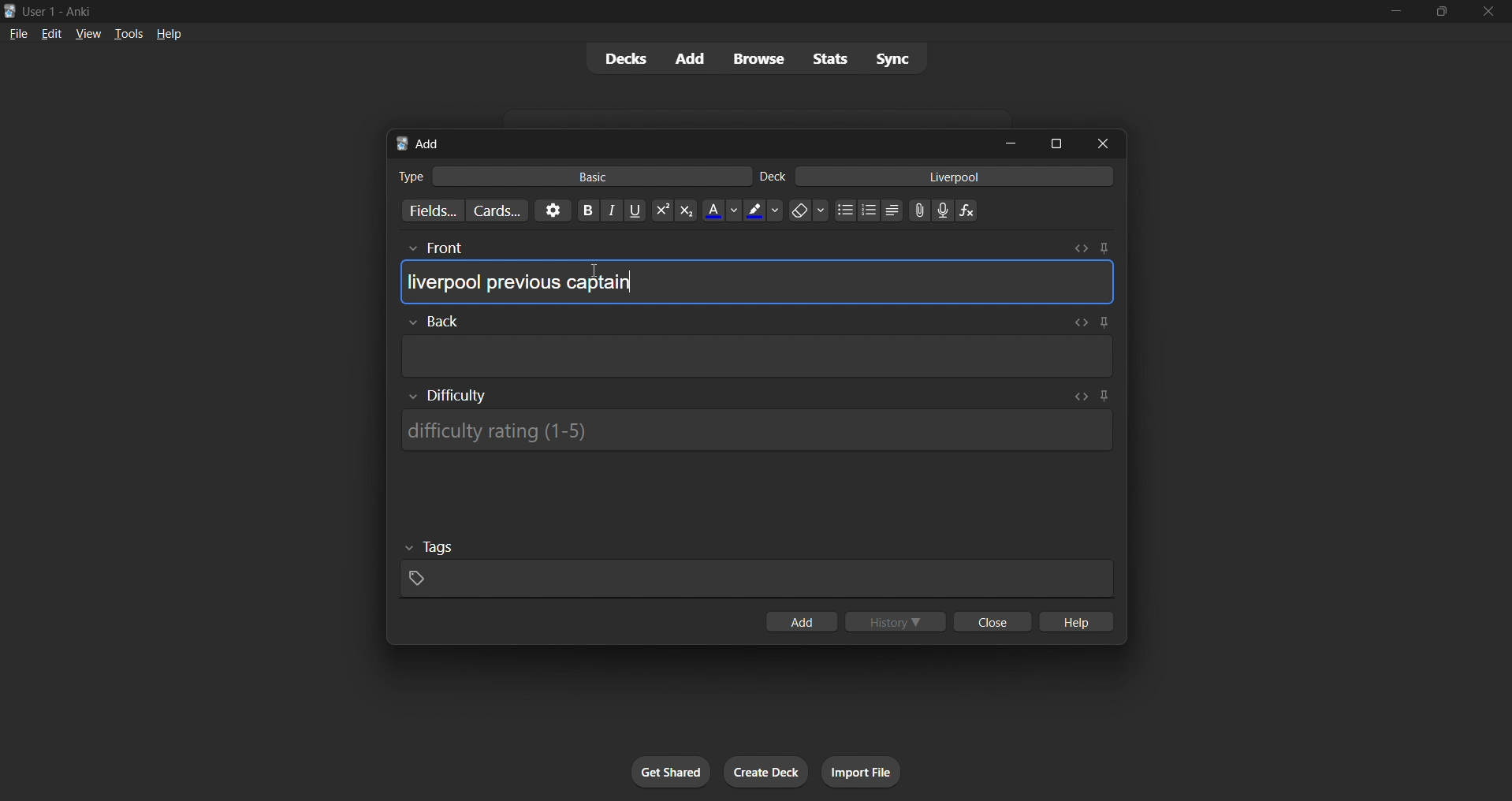 This screenshot has width=1512, height=801. Describe the element at coordinates (613, 212) in the screenshot. I see `italic` at that location.